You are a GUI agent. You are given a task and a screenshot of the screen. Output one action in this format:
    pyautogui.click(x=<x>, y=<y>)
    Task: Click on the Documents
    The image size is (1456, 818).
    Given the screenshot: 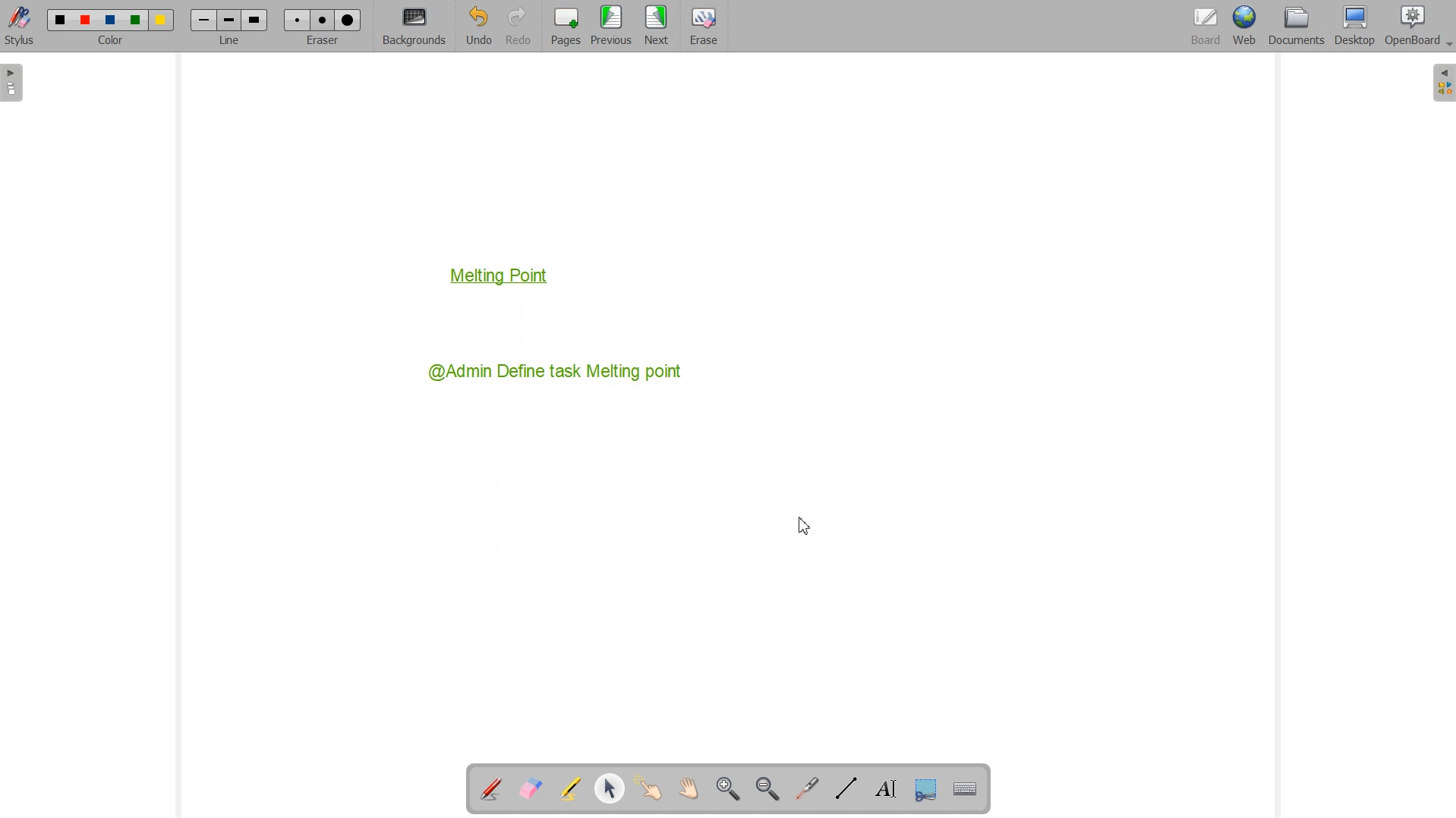 What is the action you would take?
    pyautogui.click(x=1296, y=27)
    